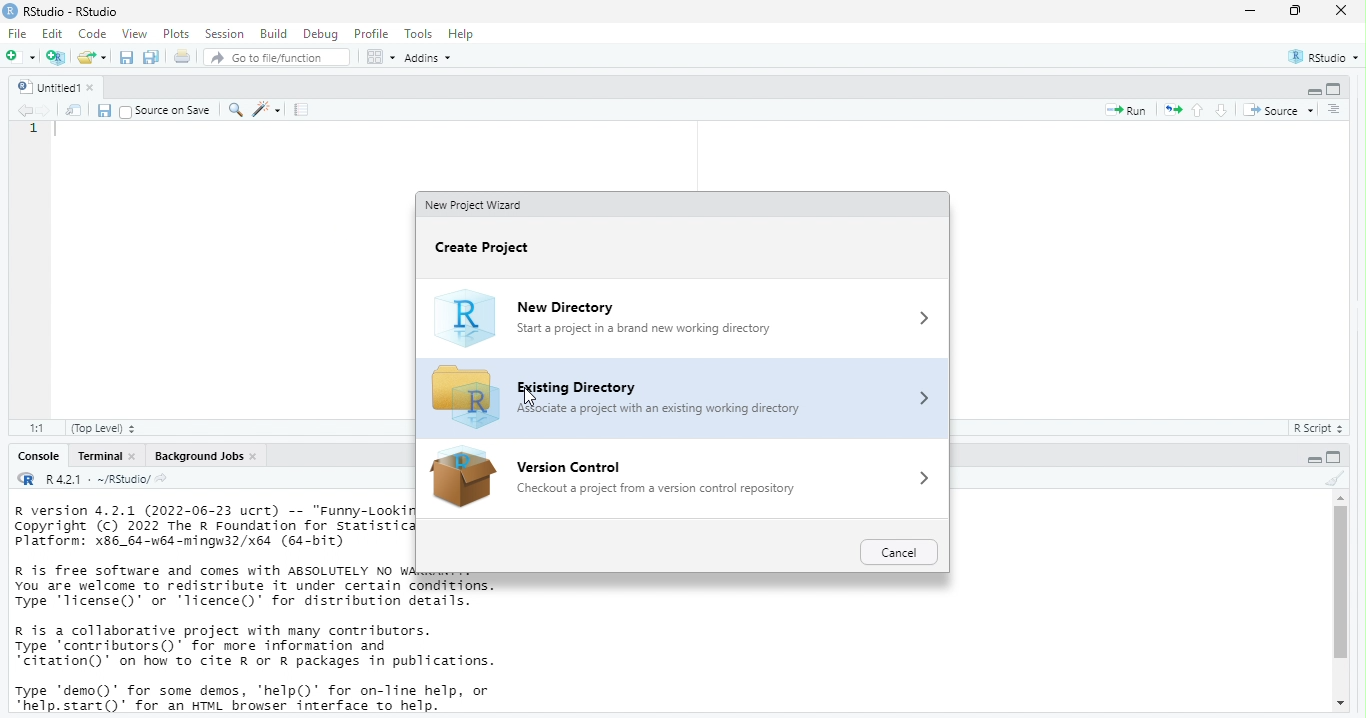 The width and height of the screenshot is (1366, 718). Describe the element at coordinates (18, 109) in the screenshot. I see `go back to previous source location` at that location.